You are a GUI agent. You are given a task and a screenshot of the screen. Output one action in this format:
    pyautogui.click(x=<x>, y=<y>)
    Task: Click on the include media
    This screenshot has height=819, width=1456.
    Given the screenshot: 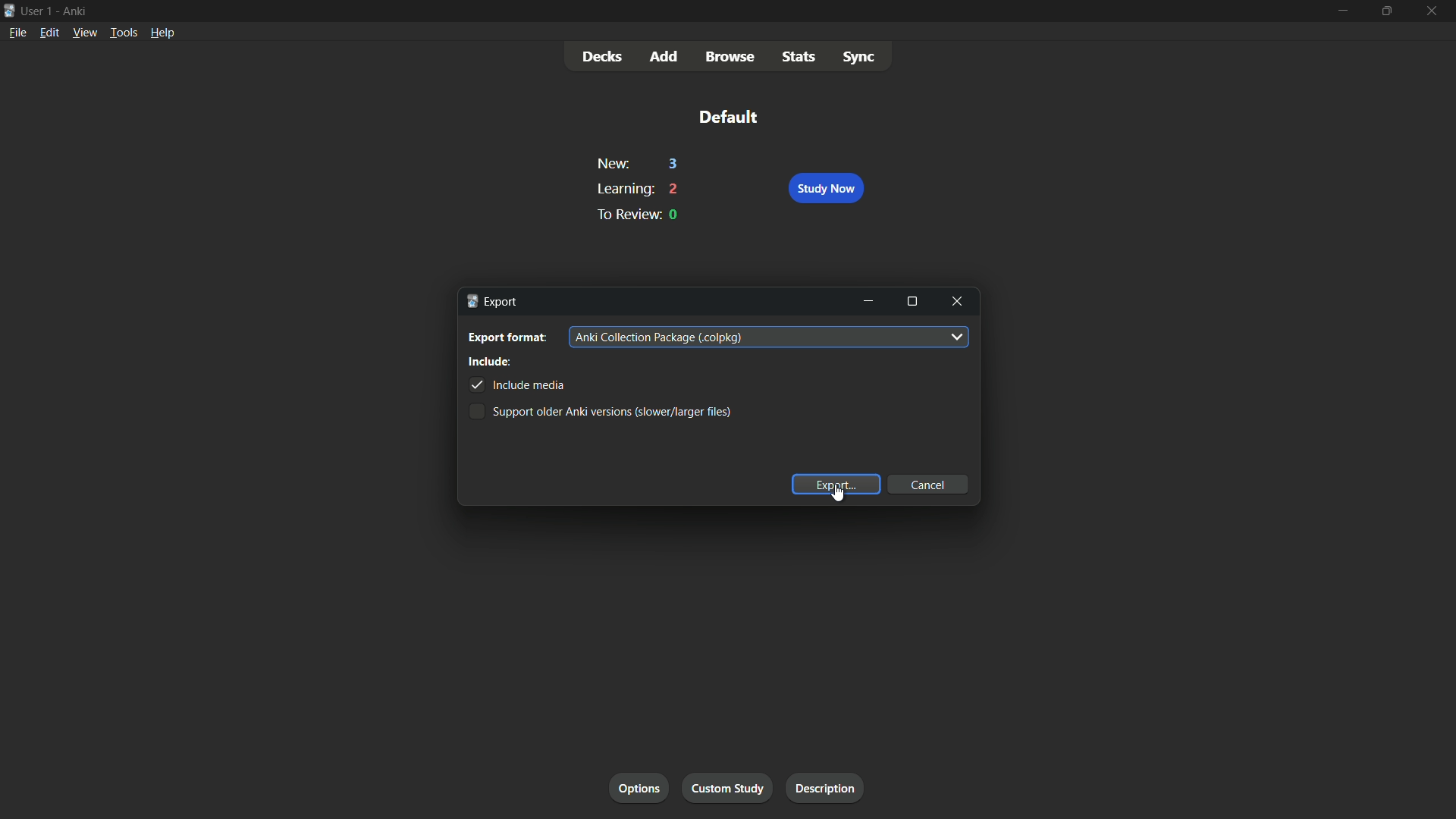 What is the action you would take?
    pyautogui.click(x=518, y=385)
    